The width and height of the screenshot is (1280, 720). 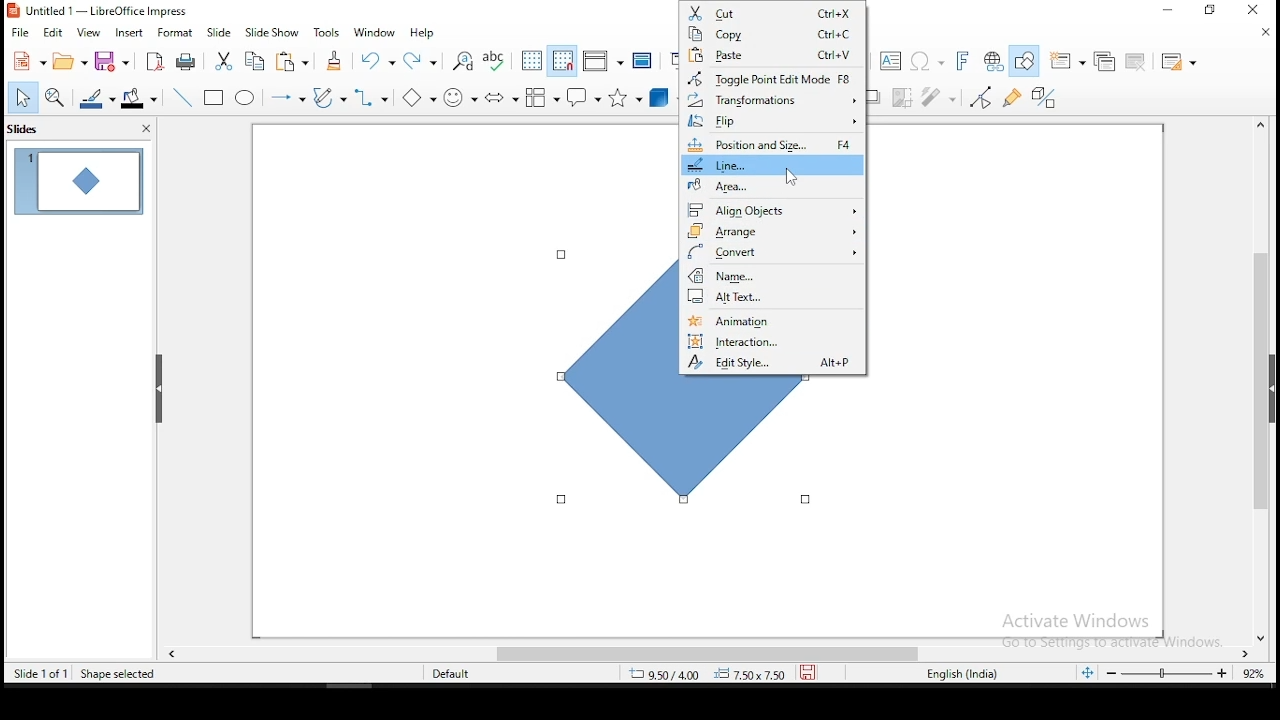 What do you see at coordinates (773, 77) in the screenshot?
I see `toggle point edit mode` at bounding box center [773, 77].